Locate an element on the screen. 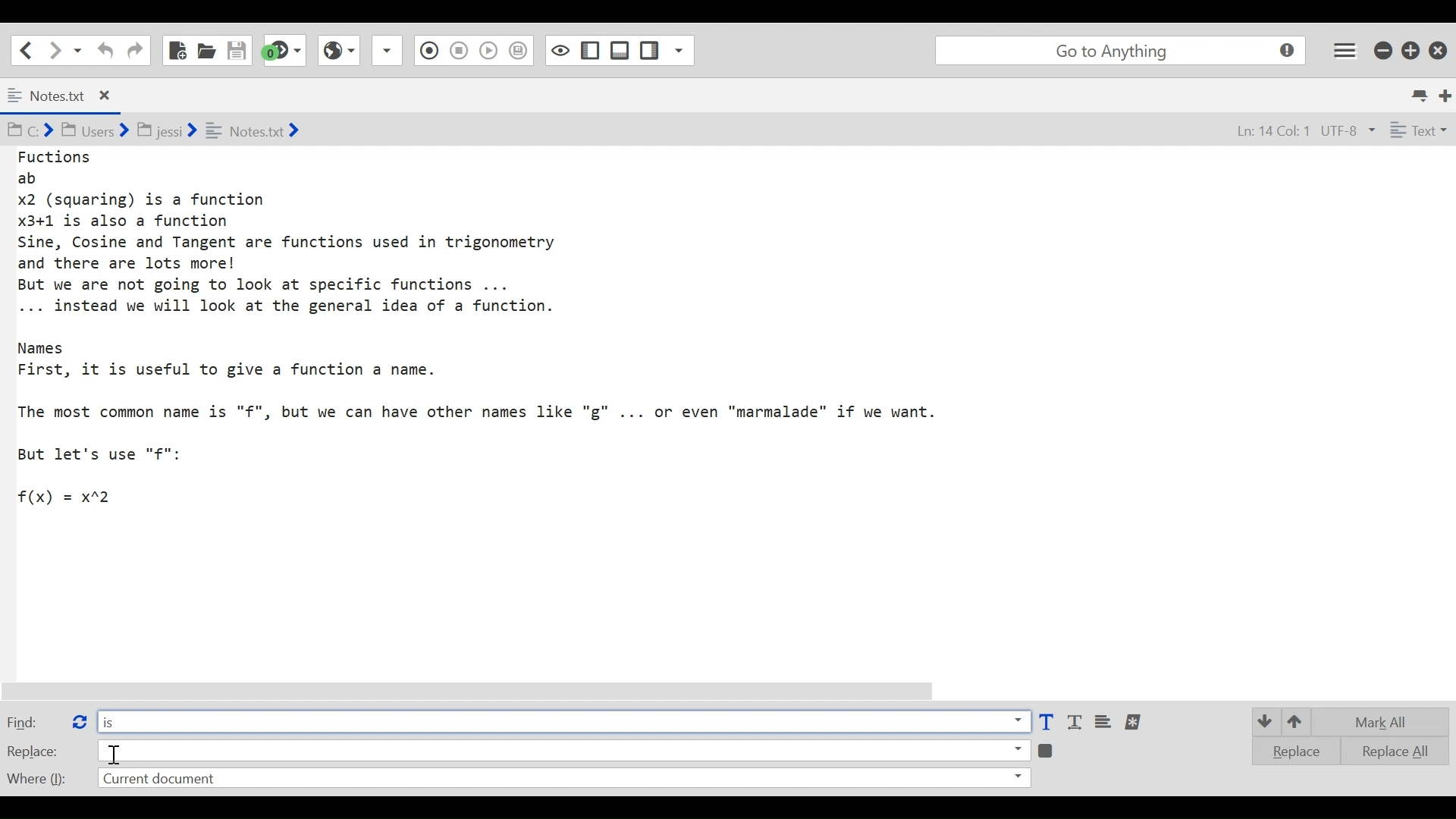 This screenshot has height=819, width=1456. Save Macro to Toolbox as Superscript is located at coordinates (491, 49).